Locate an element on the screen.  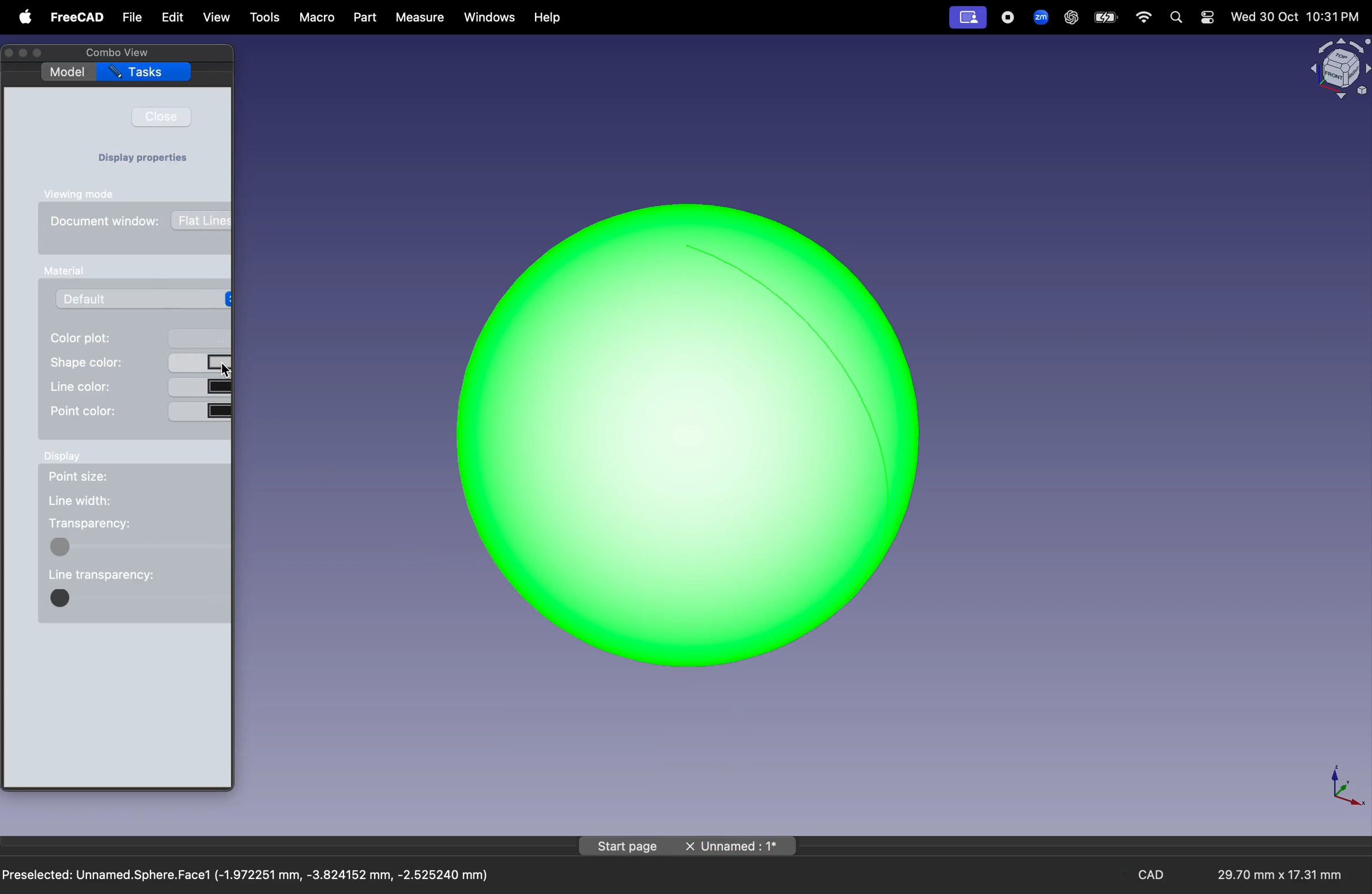
wifi is located at coordinates (1144, 17).